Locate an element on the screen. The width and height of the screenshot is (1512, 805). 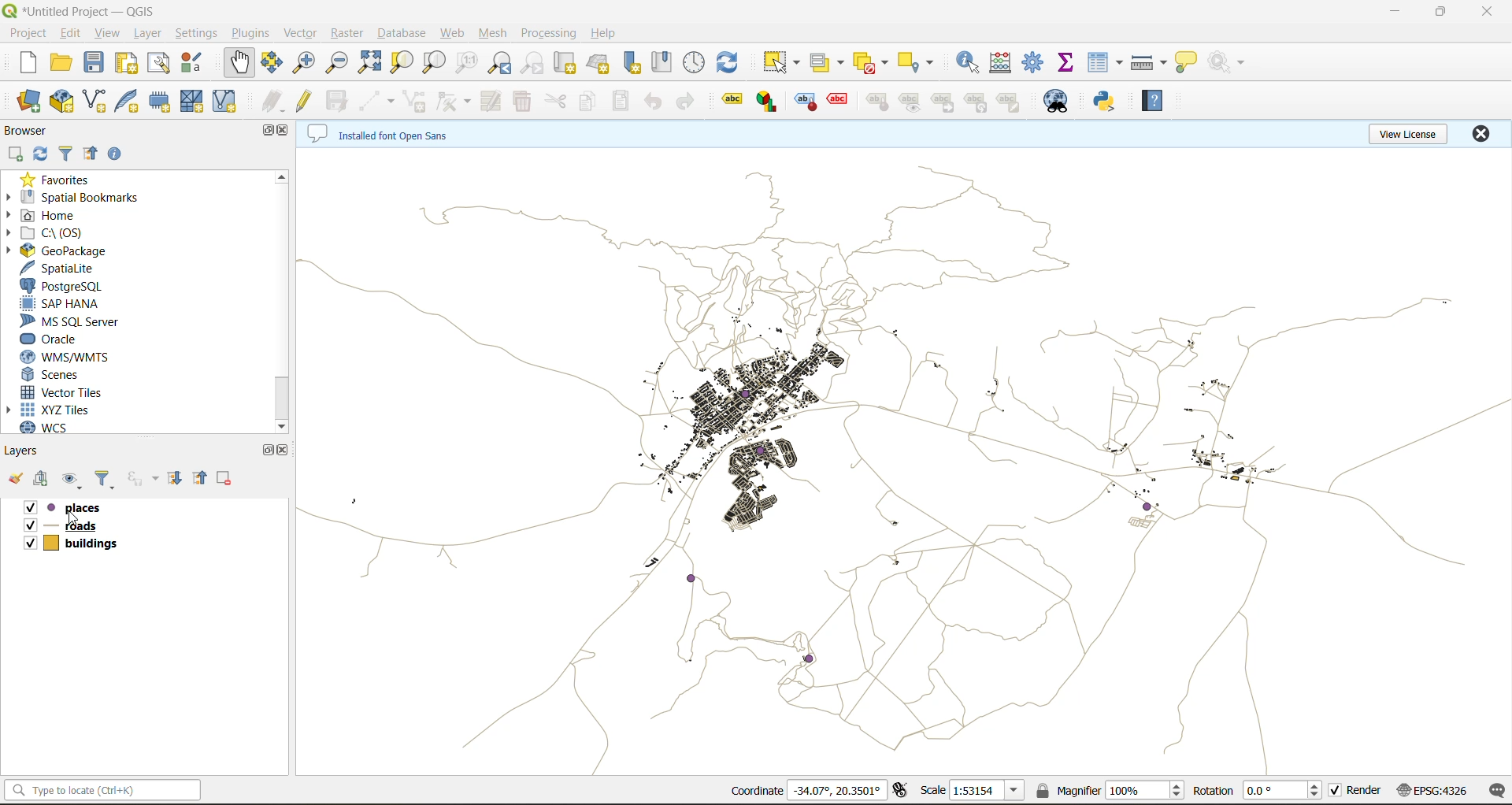
mesh is located at coordinates (490, 34).